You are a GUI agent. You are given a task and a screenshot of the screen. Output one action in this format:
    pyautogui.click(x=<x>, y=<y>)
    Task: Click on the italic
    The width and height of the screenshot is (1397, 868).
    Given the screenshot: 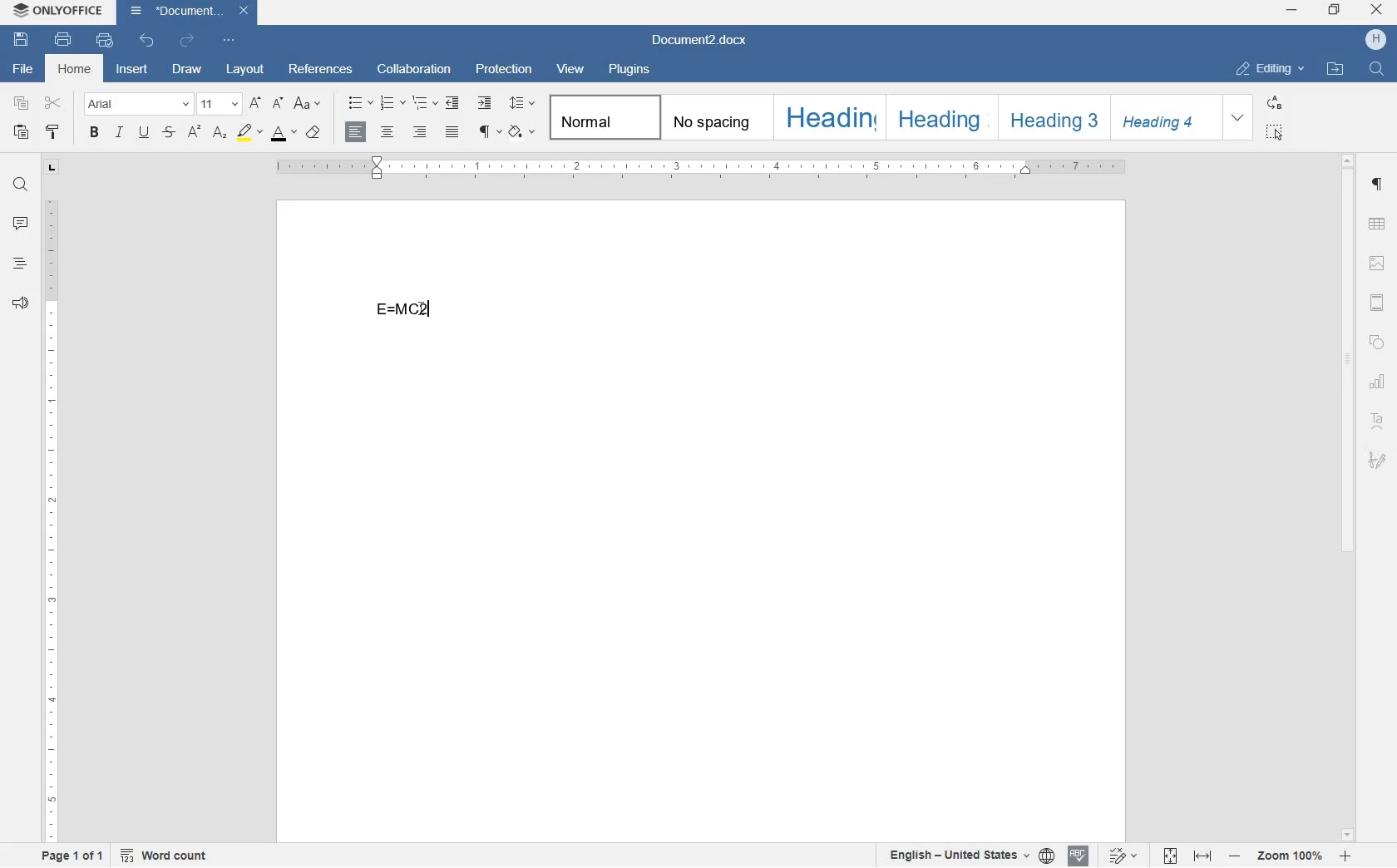 What is the action you would take?
    pyautogui.click(x=119, y=133)
    